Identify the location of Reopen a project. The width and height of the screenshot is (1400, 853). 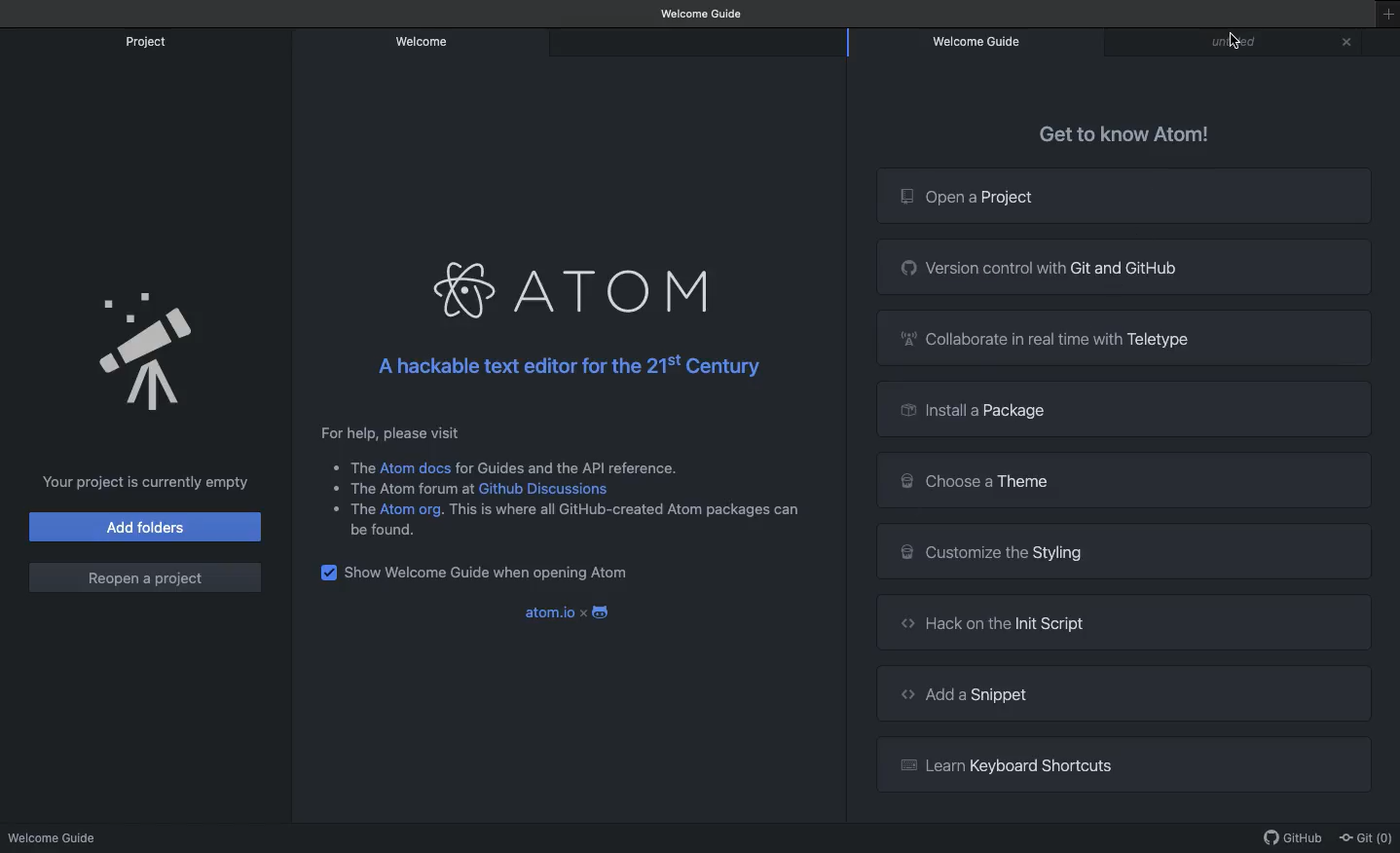
(148, 576).